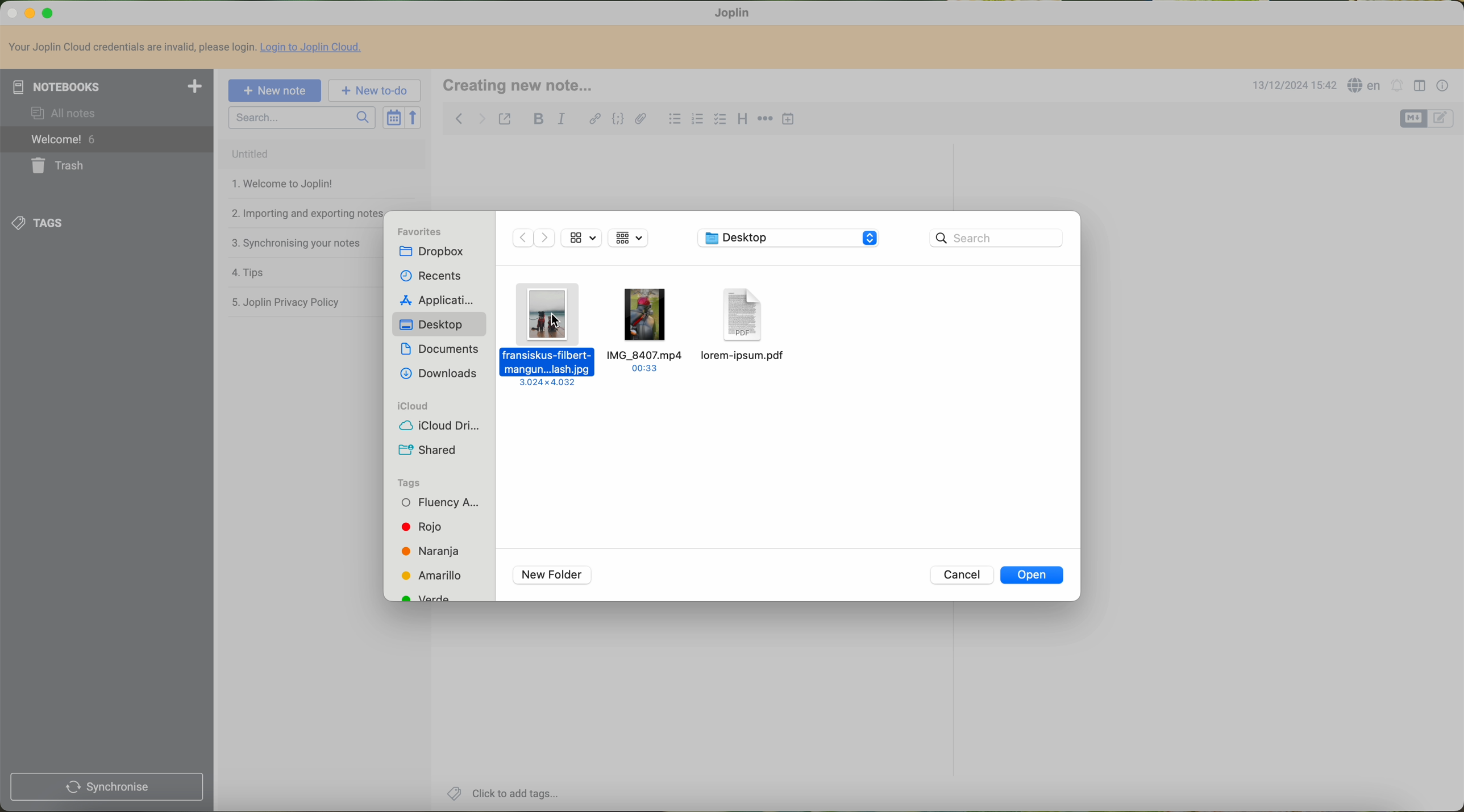  Describe the element at coordinates (39, 224) in the screenshot. I see `tags` at that location.